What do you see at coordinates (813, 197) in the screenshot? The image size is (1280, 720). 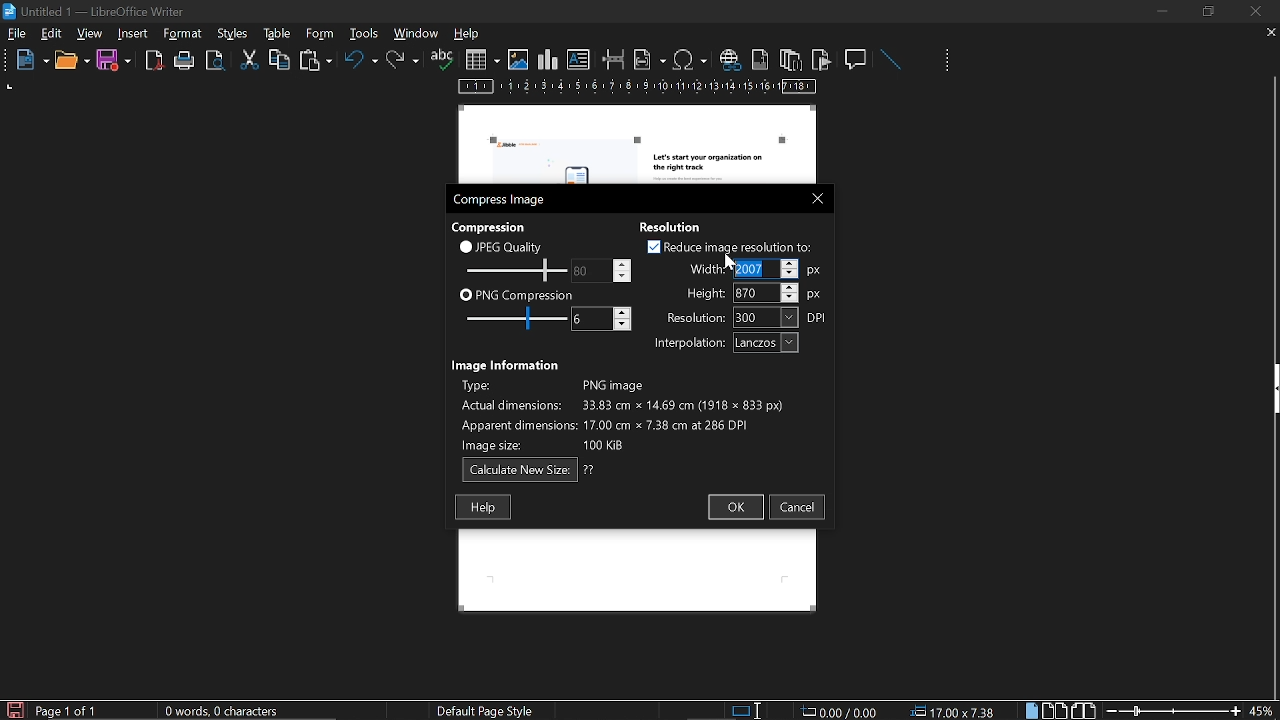 I see `close` at bounding box center [813, 197].